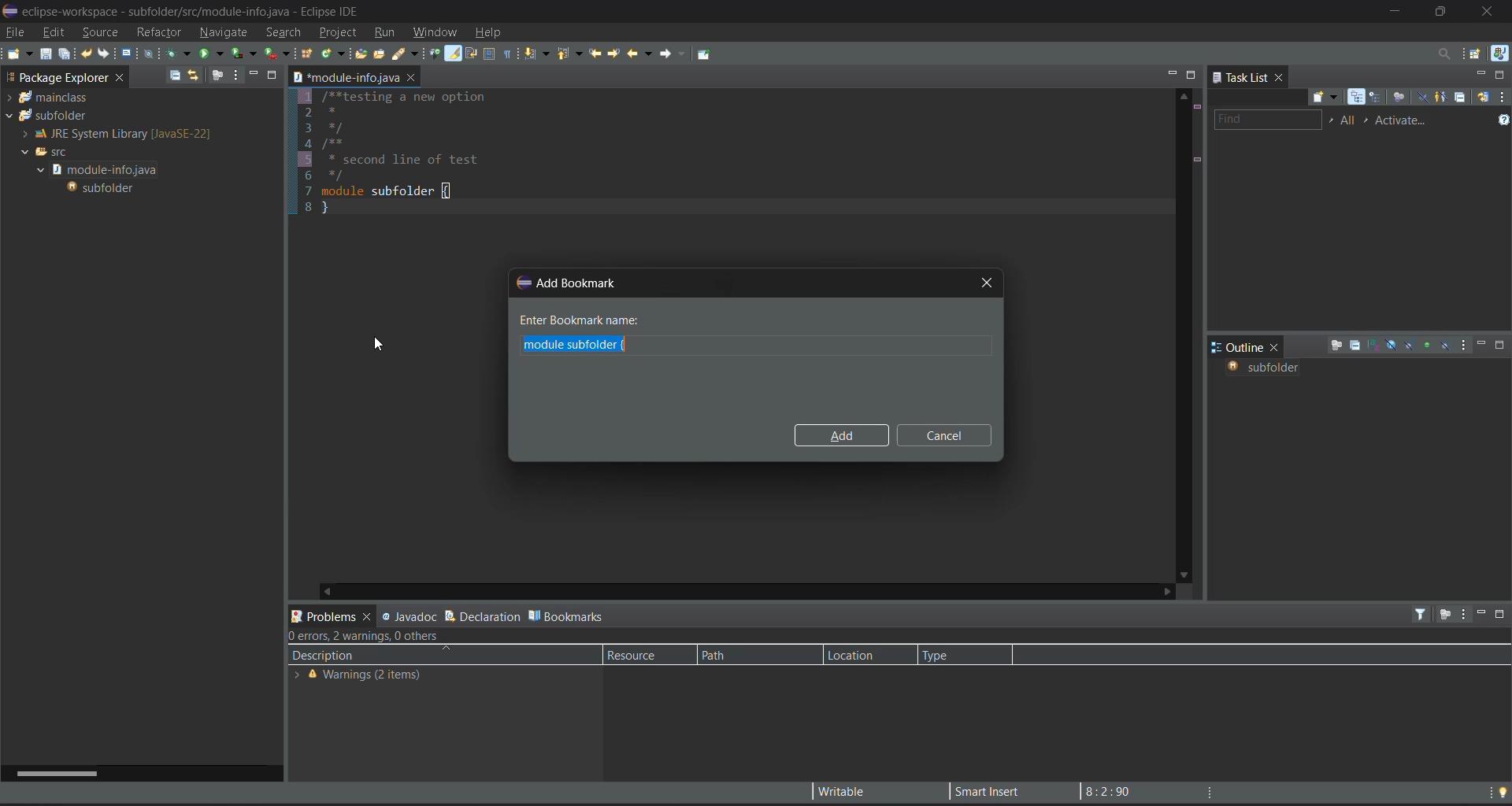 This screenshot has height=806, width=1512. What do you see at coordinates (492, 34) in the screenshot?
I see `help` at bounding box center [492, 34].